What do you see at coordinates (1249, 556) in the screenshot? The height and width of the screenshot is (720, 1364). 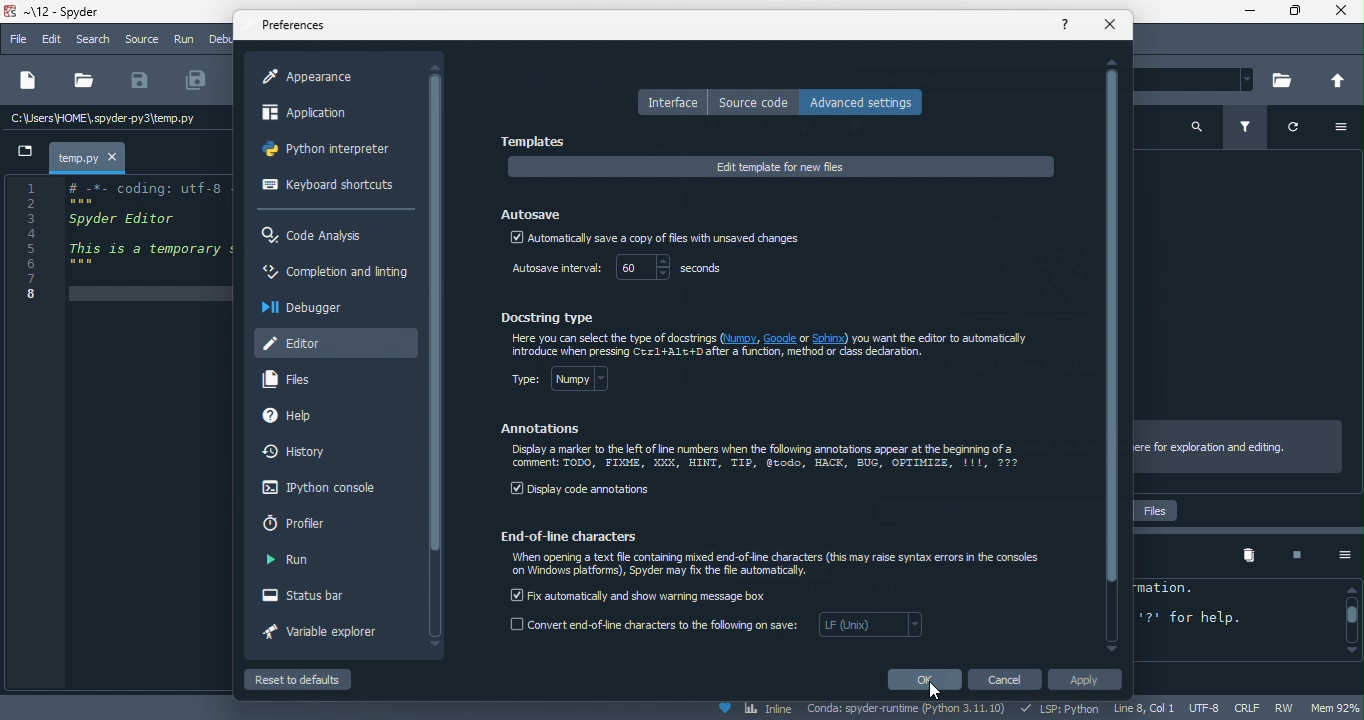 I see `remove all` at bounding box center [1249, 556].